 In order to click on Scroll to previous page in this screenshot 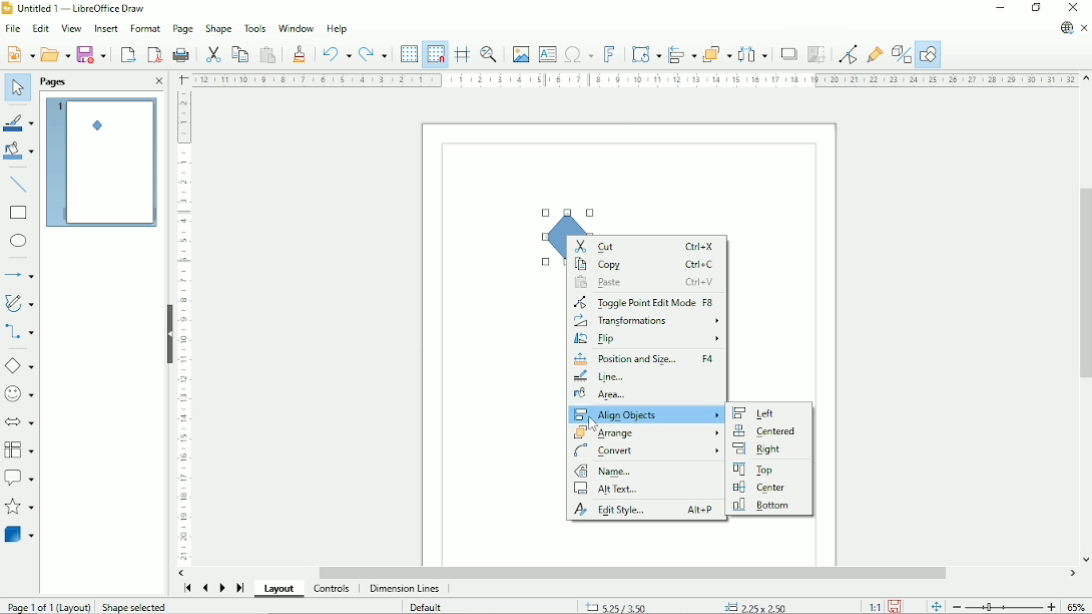, I will do `click(204, 588)`.